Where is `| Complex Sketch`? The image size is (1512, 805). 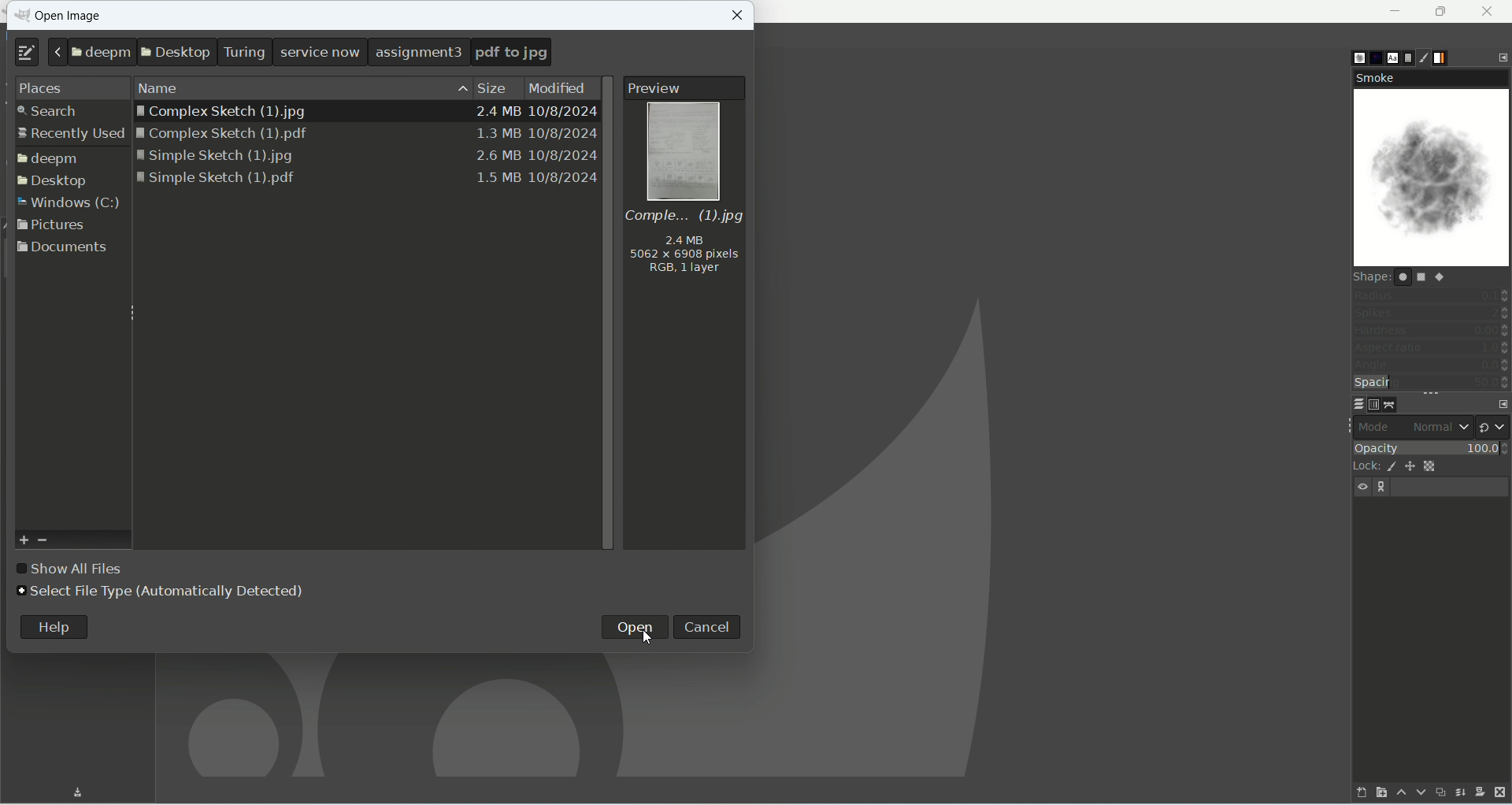 | Complex Sketch is located at coordinates (365, 135).